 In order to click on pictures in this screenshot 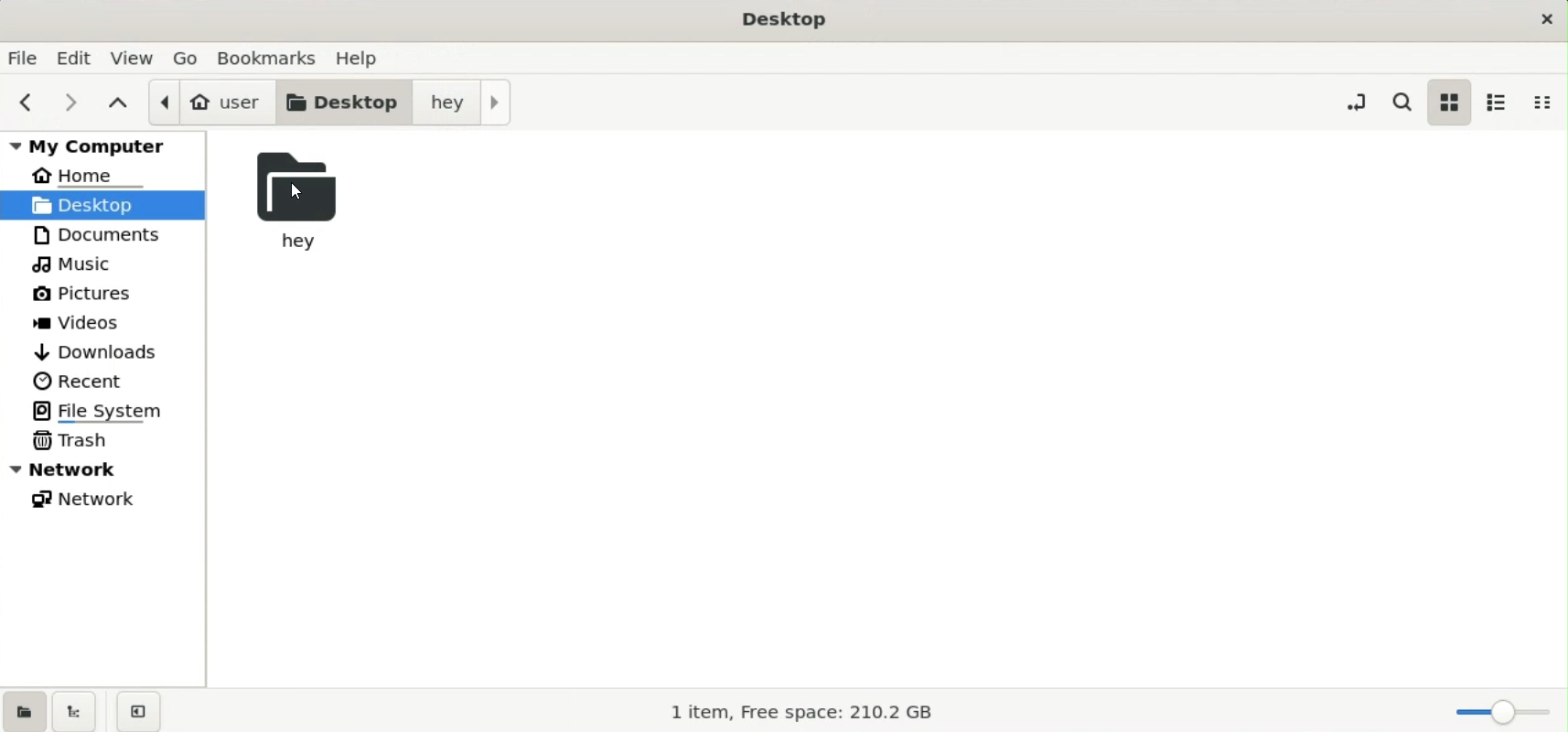, I will do `click(91, 297)`.